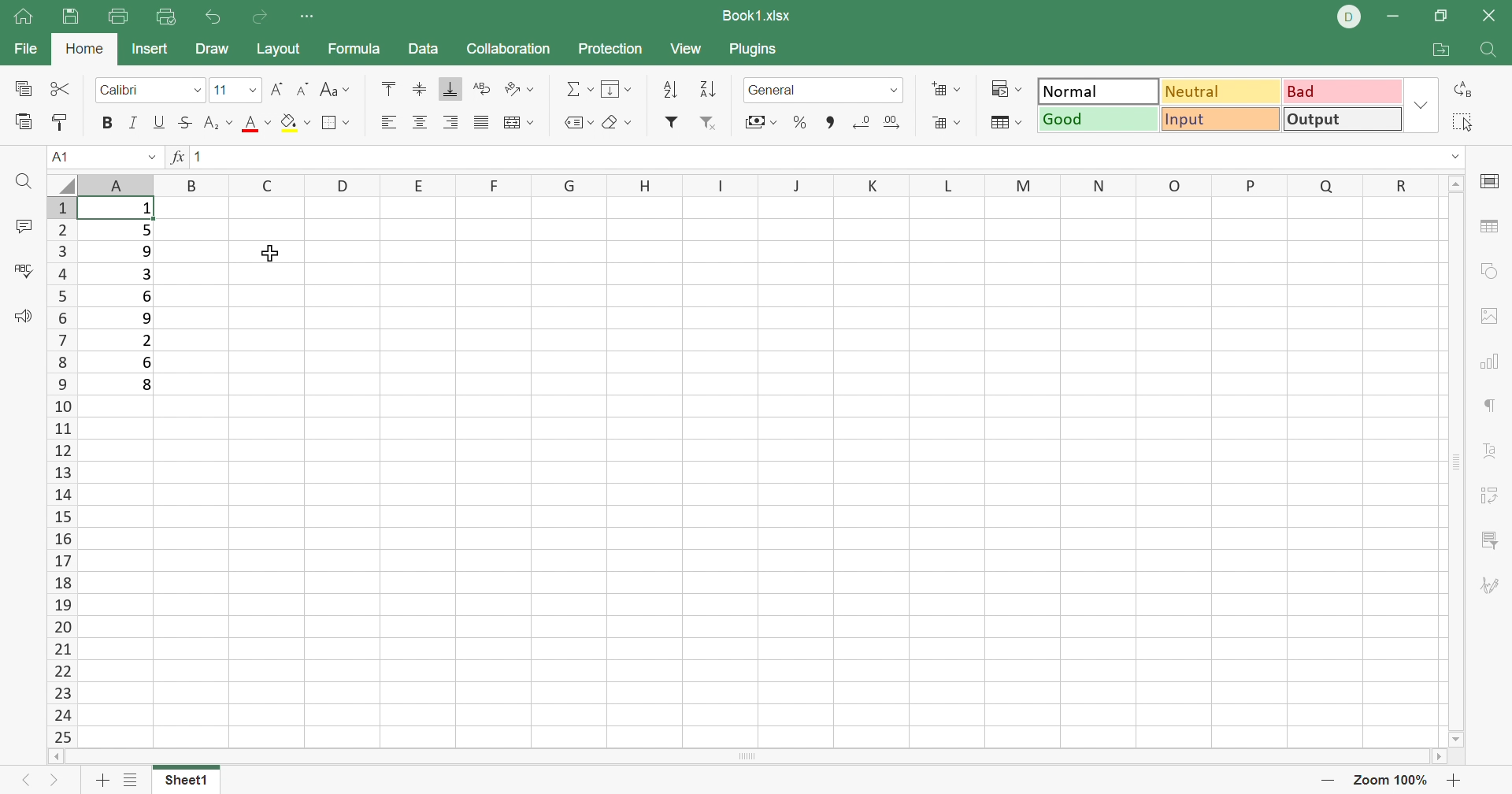 Image resolution: width=1512 pixels, height=794 pixels. What do you see at coordinates (212, 16) in the screenshot?
I see `Undo` at bounding box center [212, 16].